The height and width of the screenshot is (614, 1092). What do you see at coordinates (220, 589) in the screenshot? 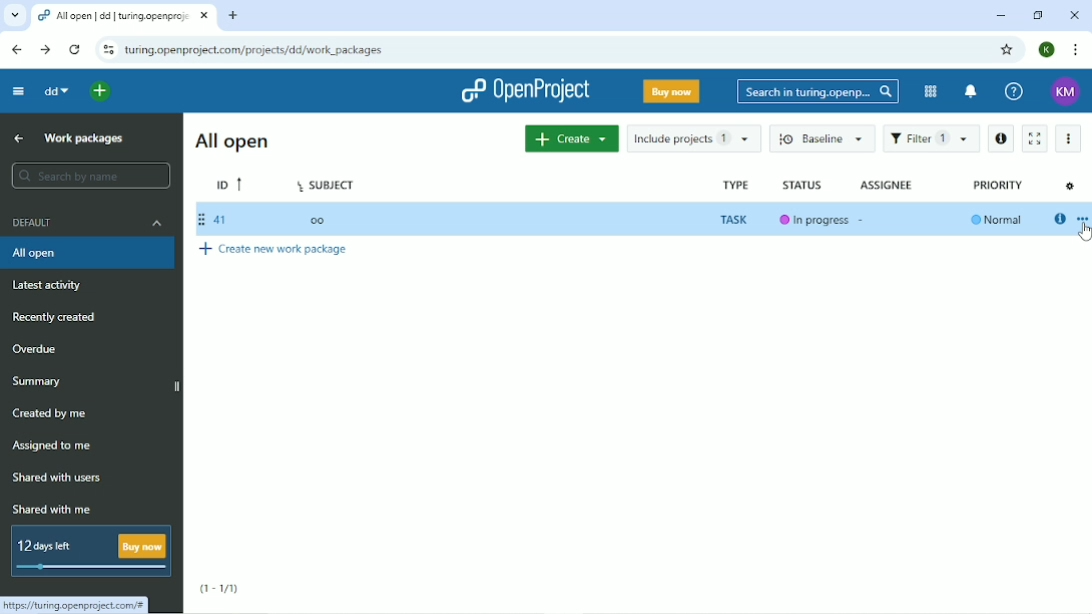
I see `(1-1/1)` at bounding box center [220, 589].